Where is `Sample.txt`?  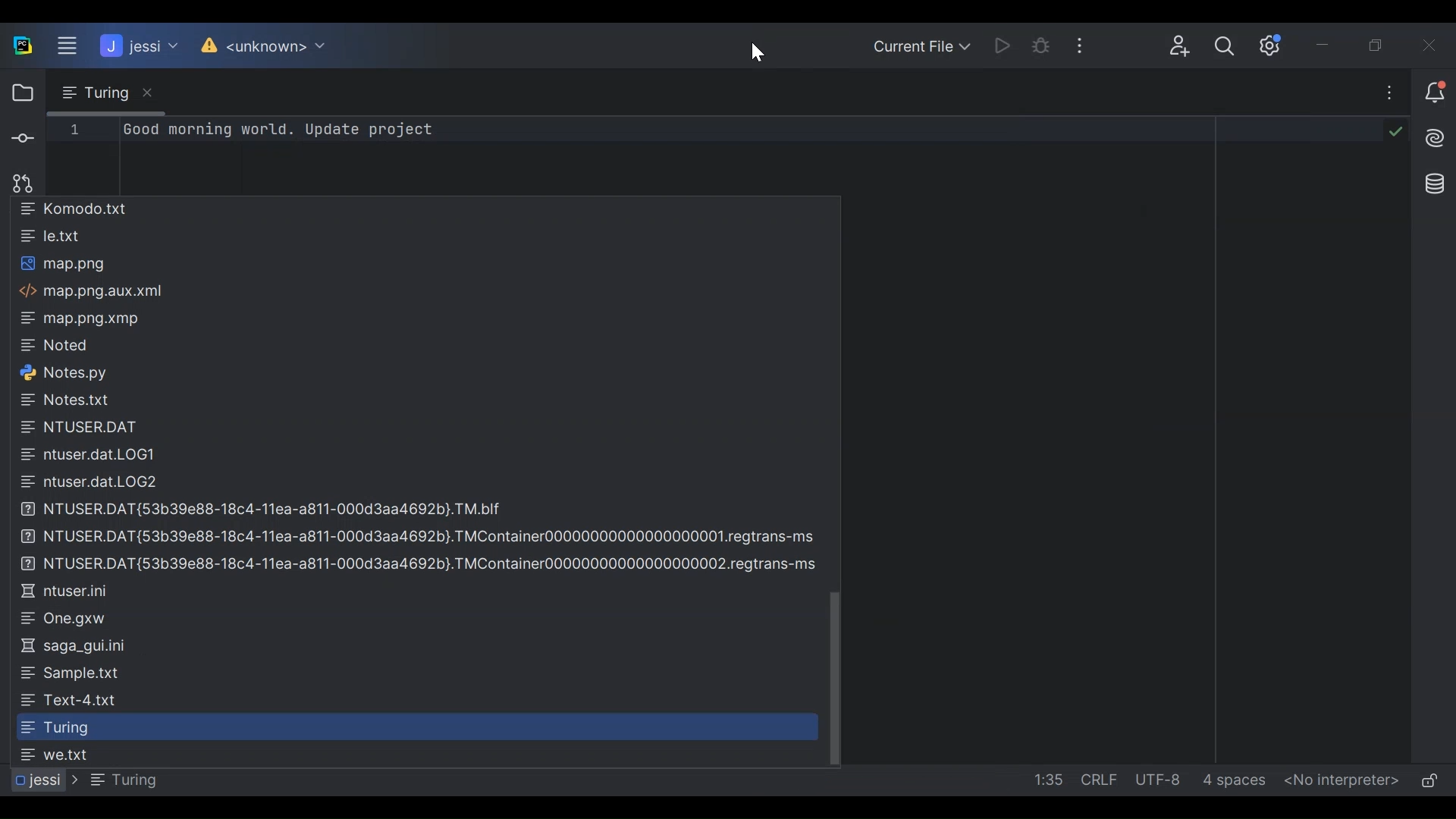 Sample.txt is located at coordinates (70, 672).